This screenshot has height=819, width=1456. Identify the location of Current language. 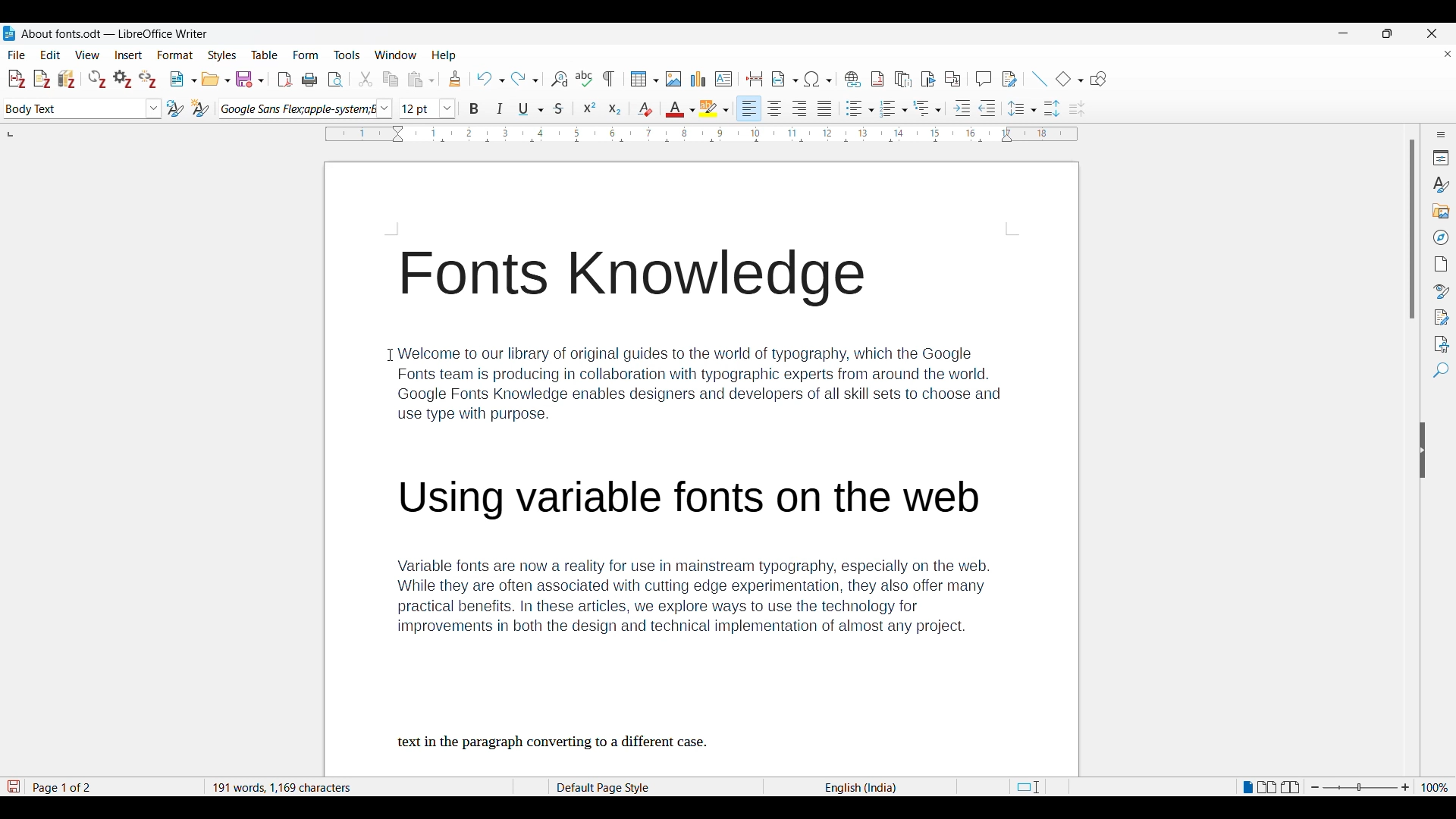
(863, 787).